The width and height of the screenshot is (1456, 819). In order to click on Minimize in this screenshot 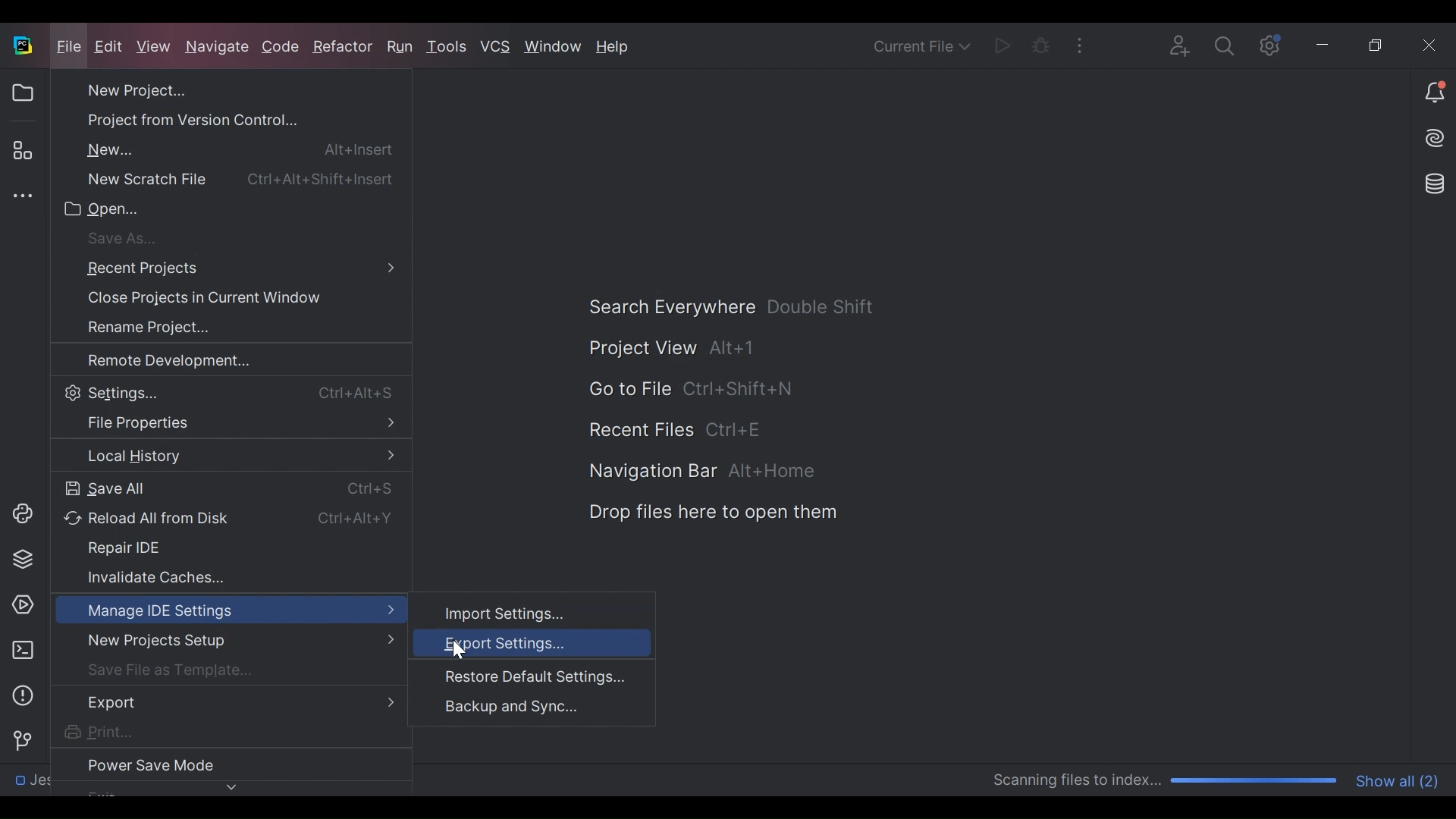, I will do `click(1321, 43)`.